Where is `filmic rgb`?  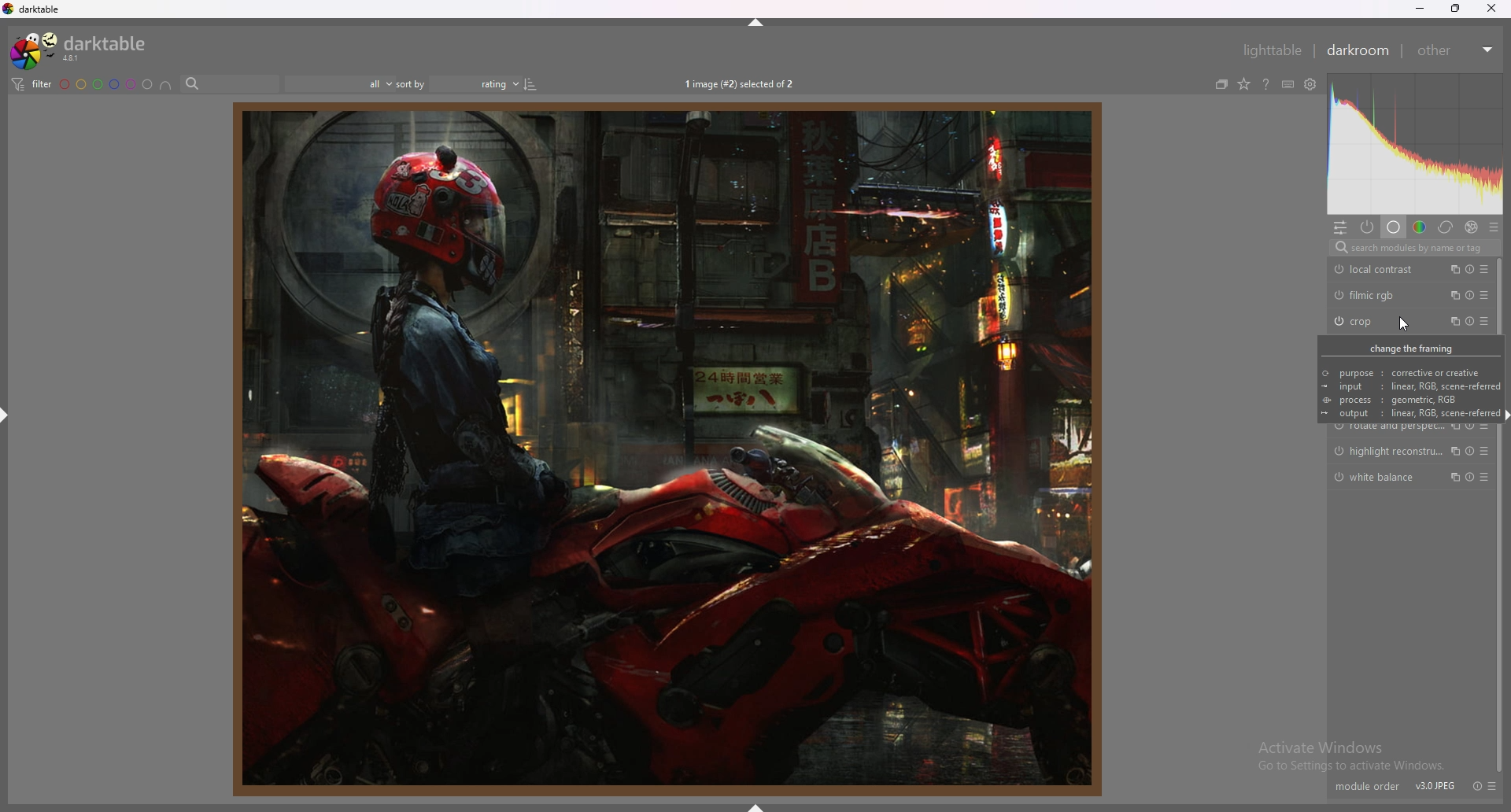
filmic rgb is located at coordinates (1379, 295).